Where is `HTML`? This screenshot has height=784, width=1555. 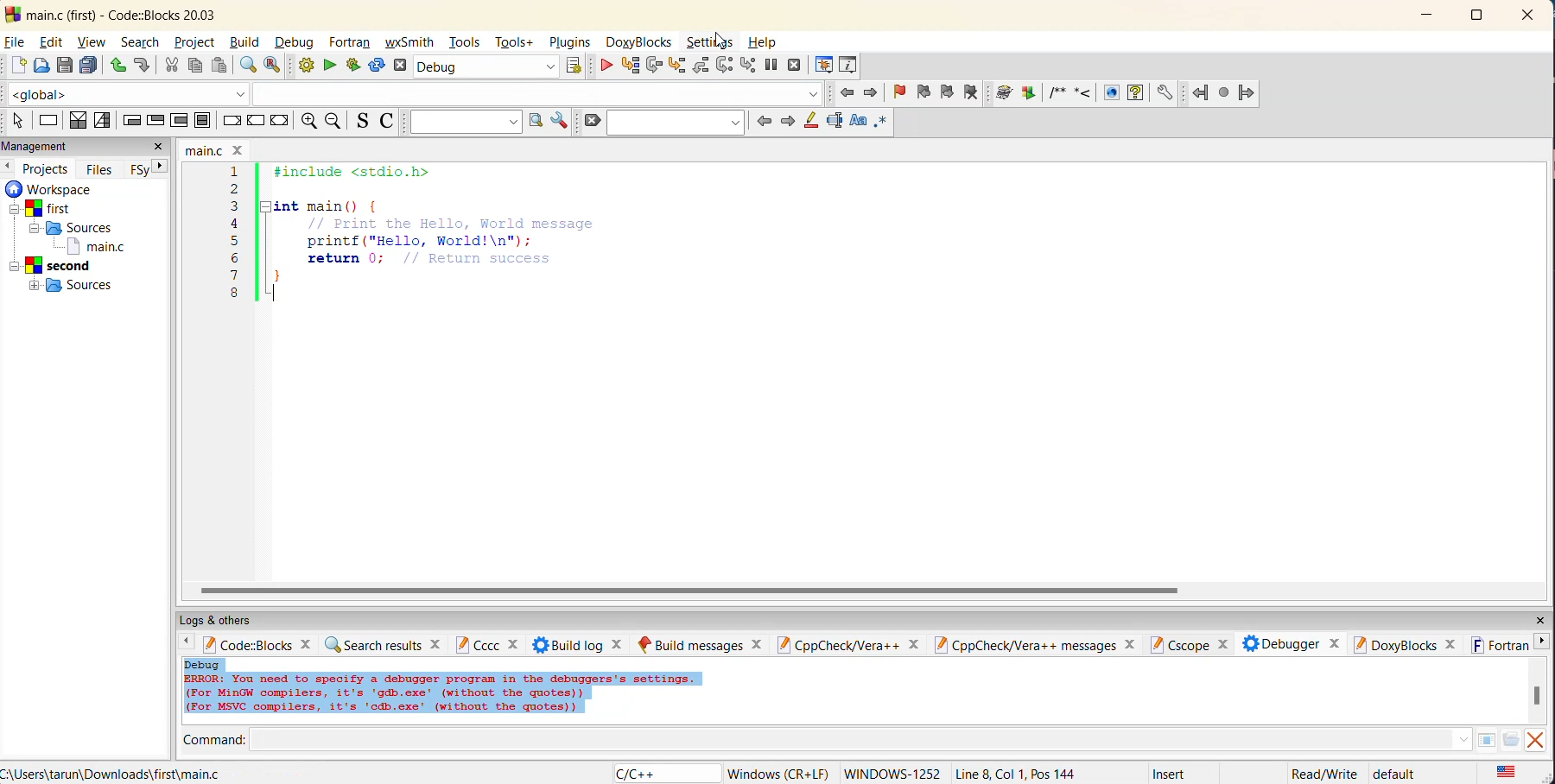 HTML is located at coordinates (1108, 93).